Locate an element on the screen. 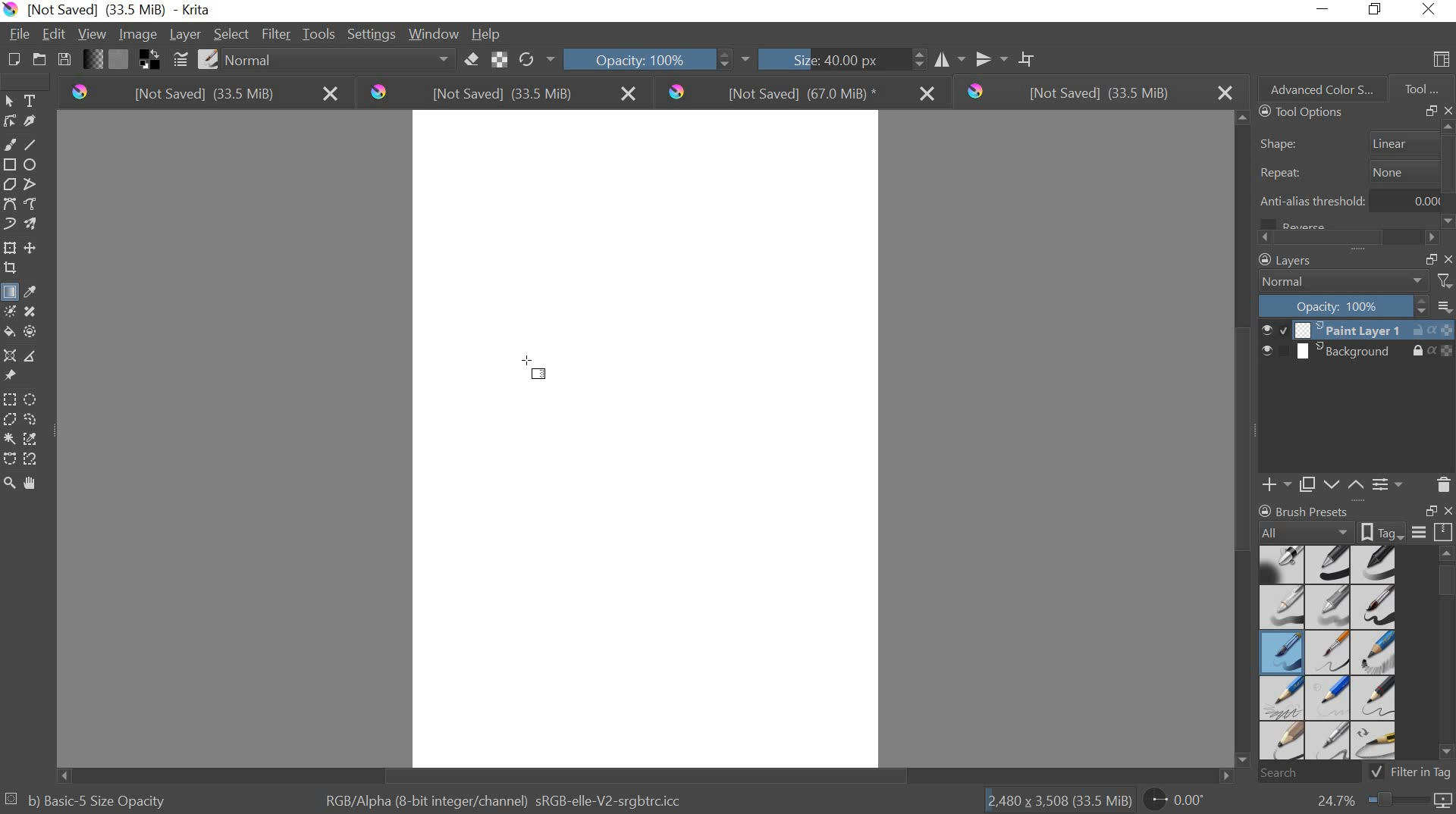  WINDOW is located at coordinates (433, 35).